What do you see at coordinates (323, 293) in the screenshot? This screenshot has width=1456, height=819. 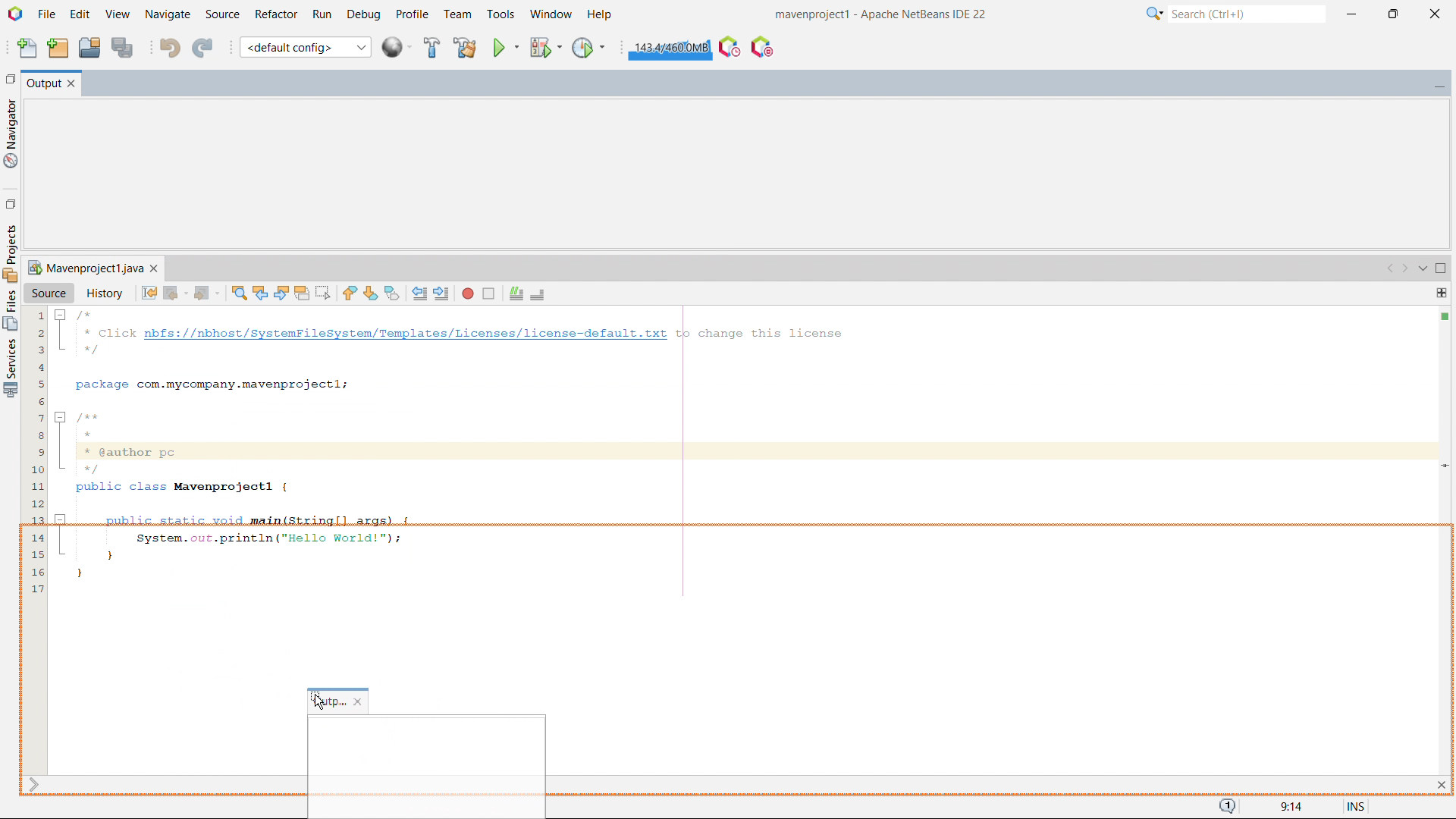 I see `toggle rectangular selection` at bounding box center [323, 293].